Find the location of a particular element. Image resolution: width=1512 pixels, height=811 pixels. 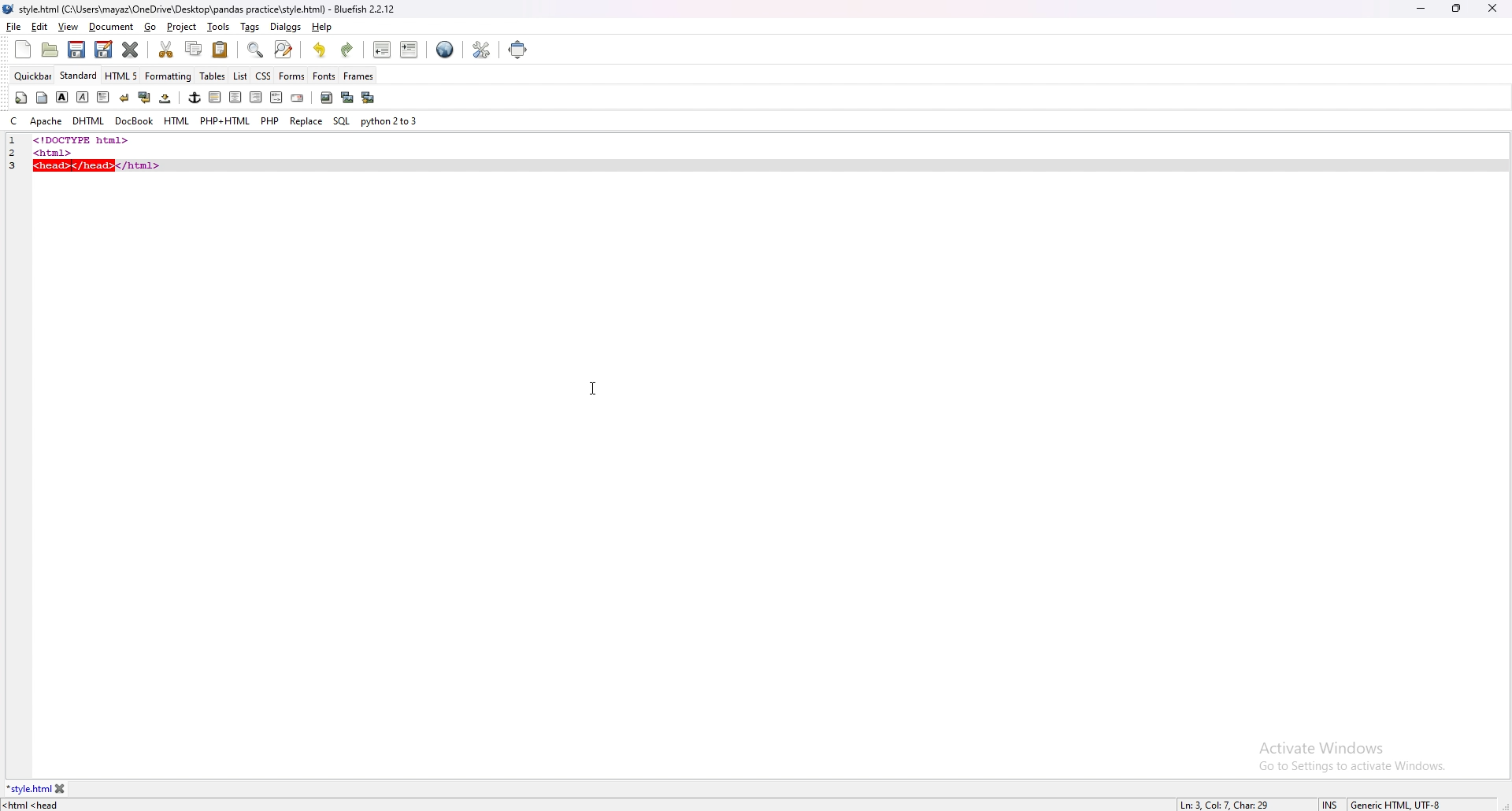

save as is located at coordinates (103, 50).